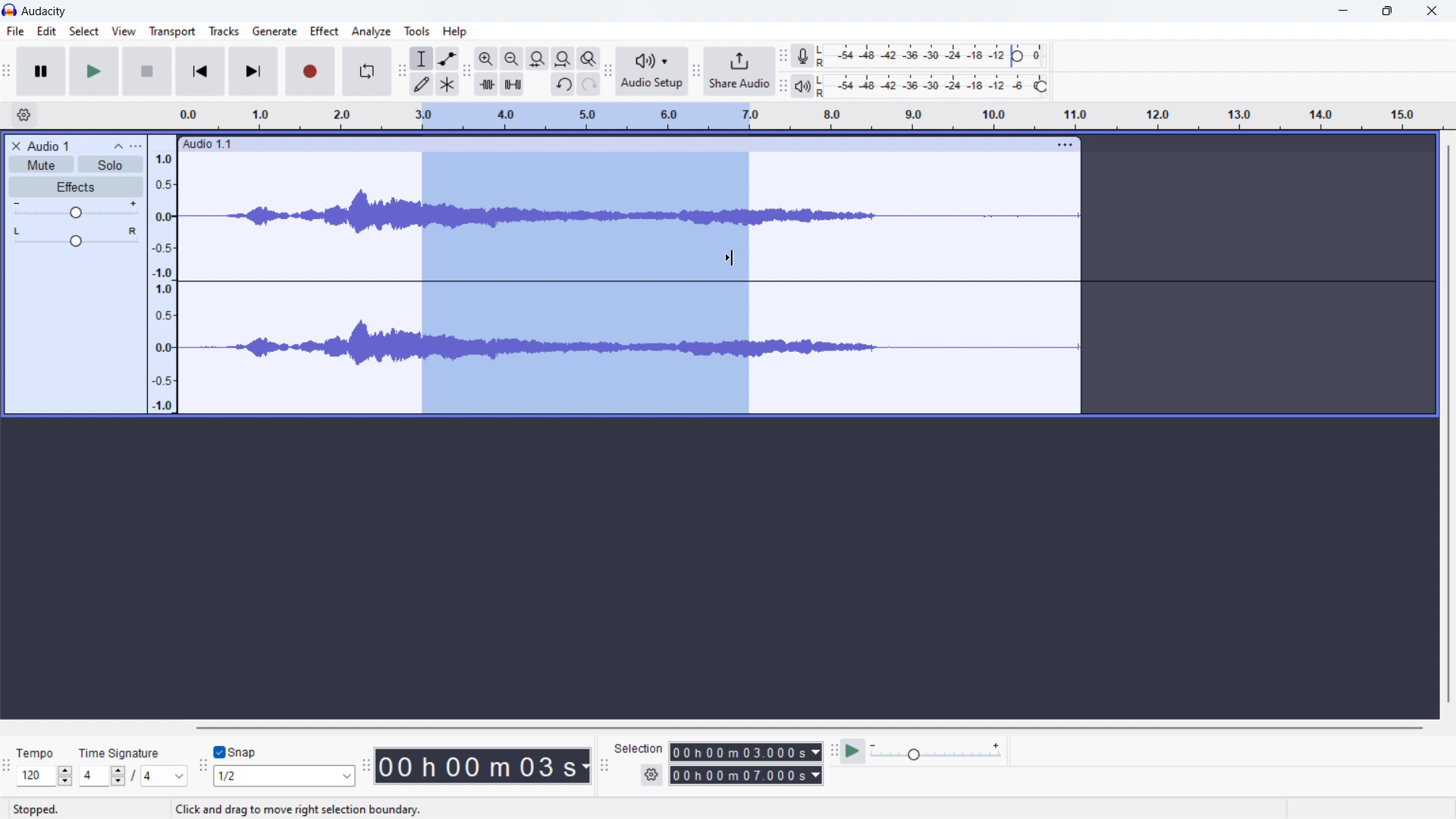 This screenshot has width=1456, height=819. What do you see at coordinates (740, 72) in the screenshot?
I see `share audio` at bounding box center [740, 72].